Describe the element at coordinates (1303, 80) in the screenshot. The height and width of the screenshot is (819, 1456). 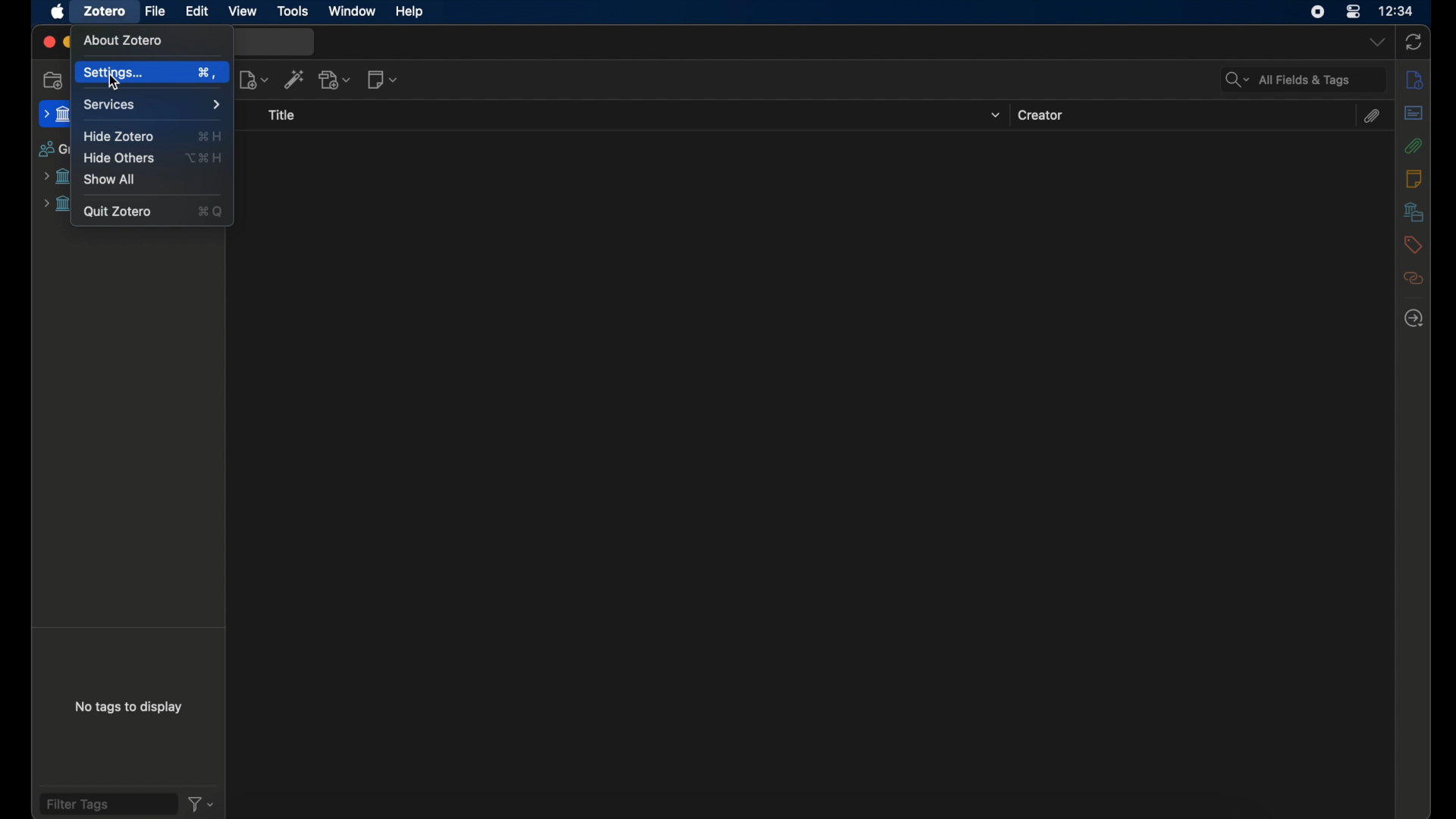
I see `all fields and tags` at that location.